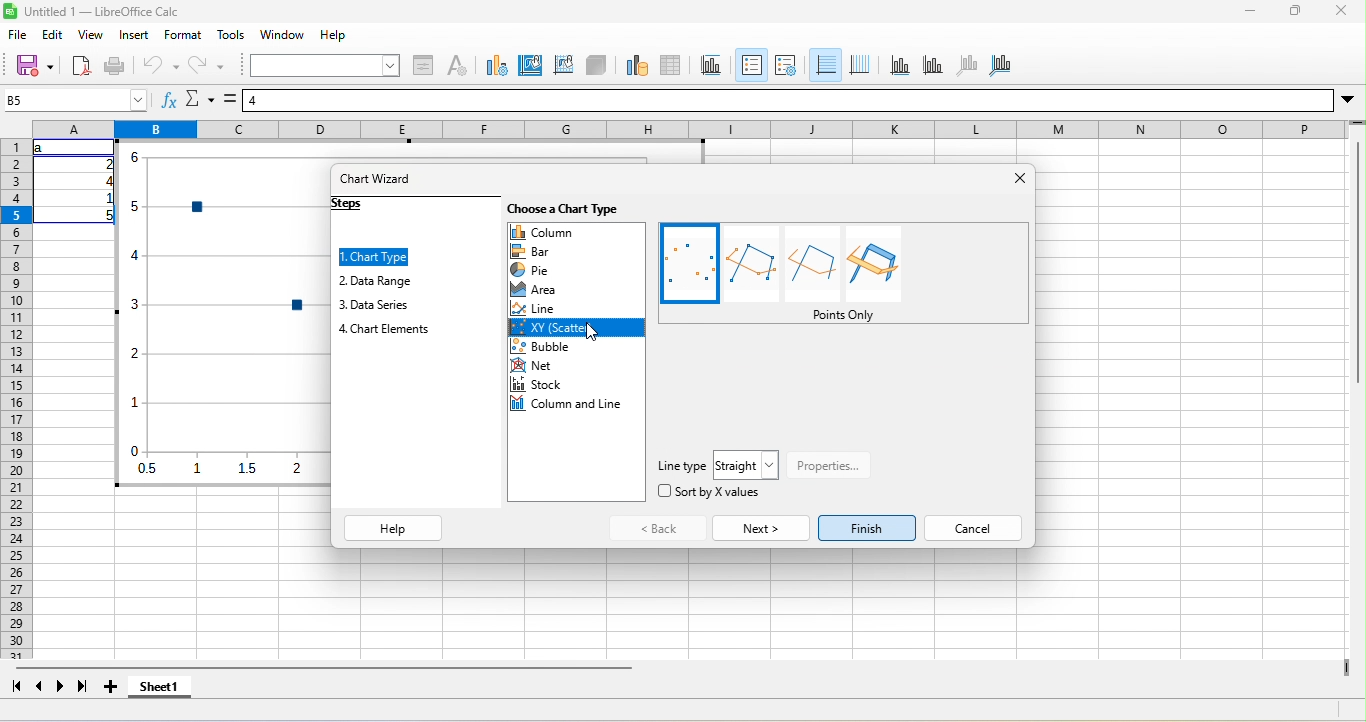  What do you see at coordinates (577, 251) in the screenshot?
I see `bar` at bounding box center [577, 251].